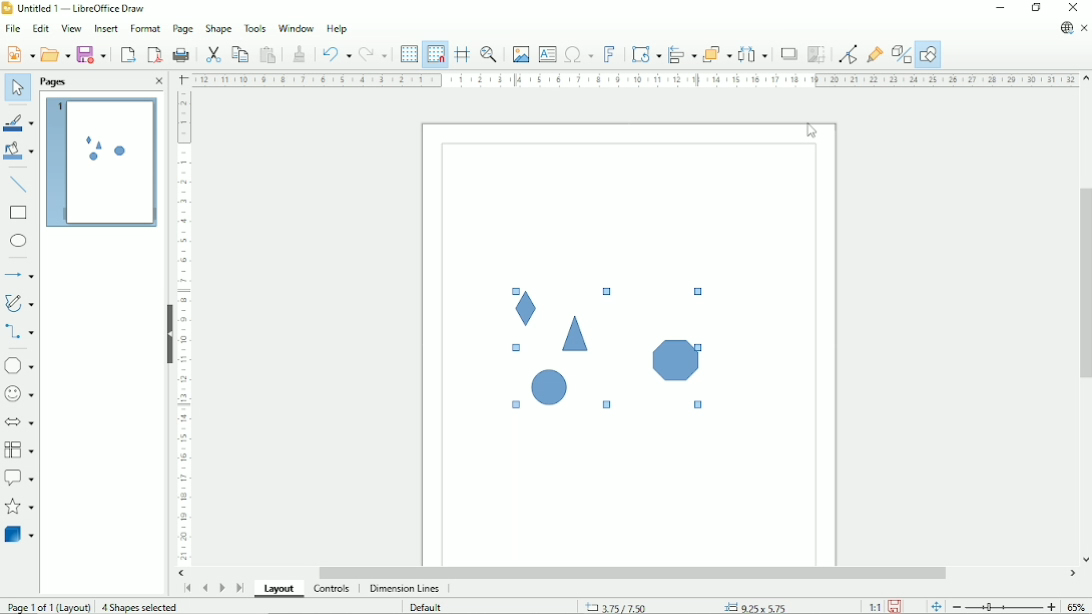 This screenshot has height=614, width=1092. What do you see at coordinates (12, 28) in the screenshot?
I see `File` at bounding box center [12, 28].